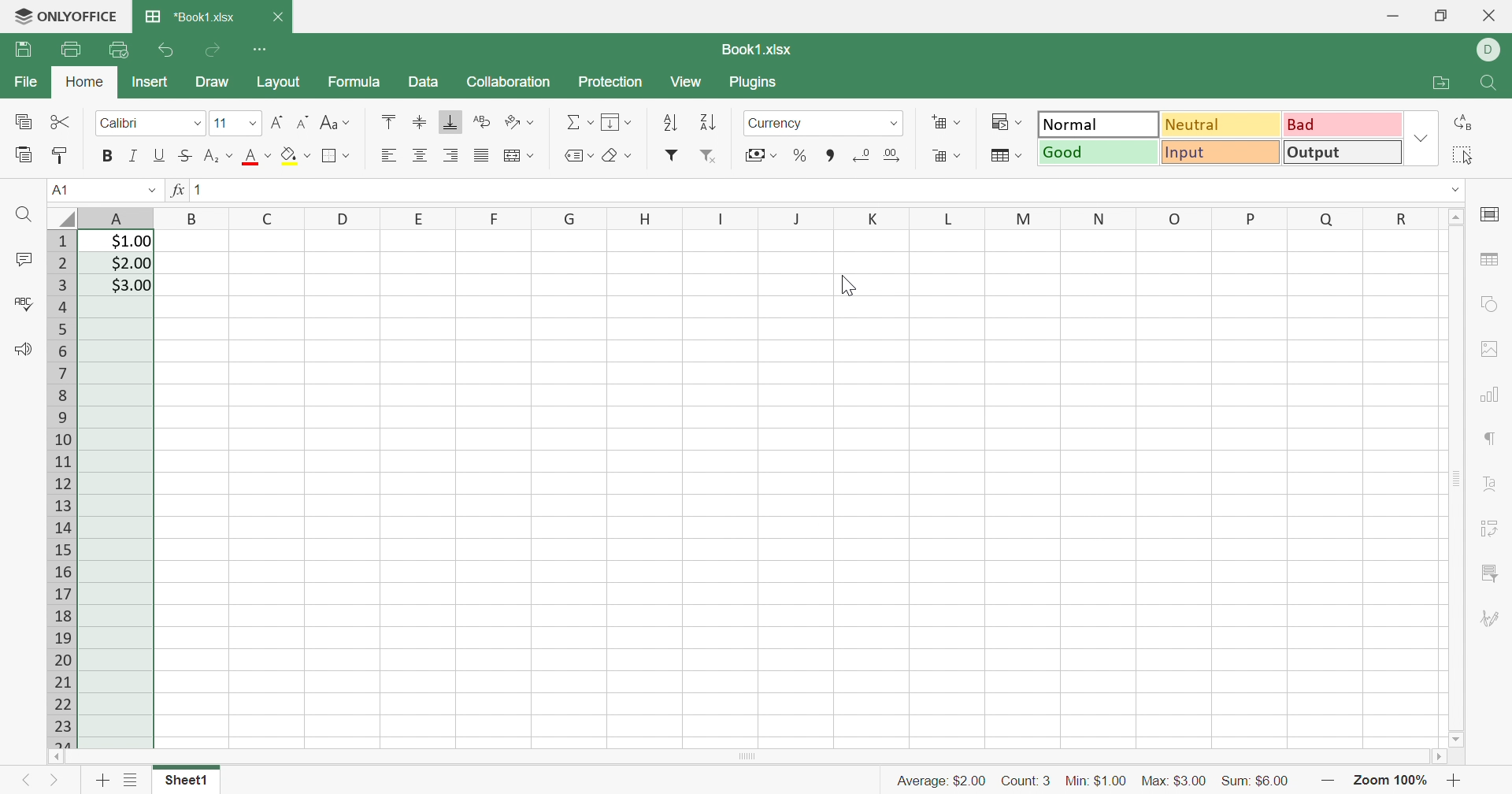  I want to click on Cell settings, so click(1495, 213).